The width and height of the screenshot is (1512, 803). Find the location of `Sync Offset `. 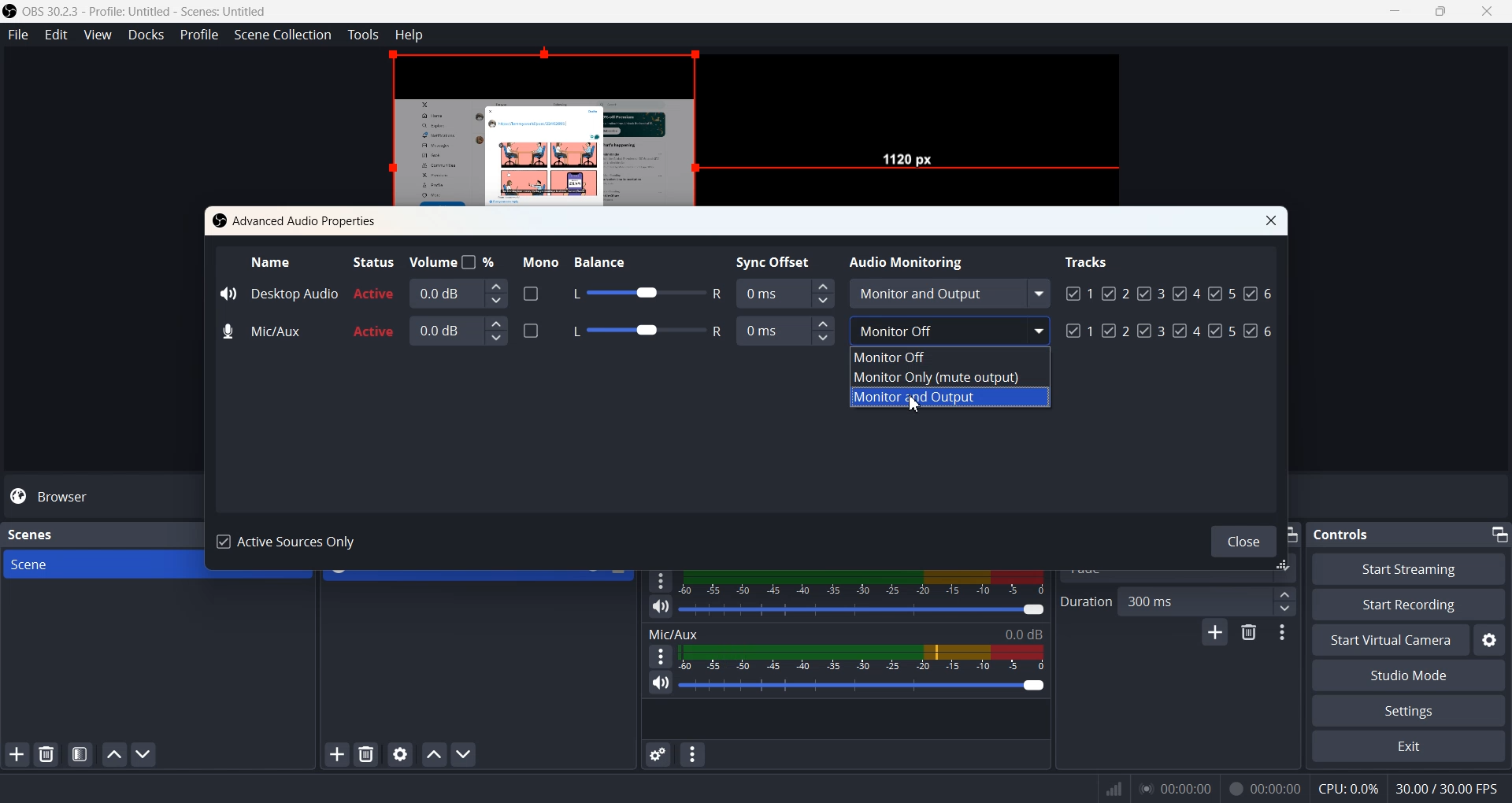

Sync Offset  is located at coordinates (787, 331).